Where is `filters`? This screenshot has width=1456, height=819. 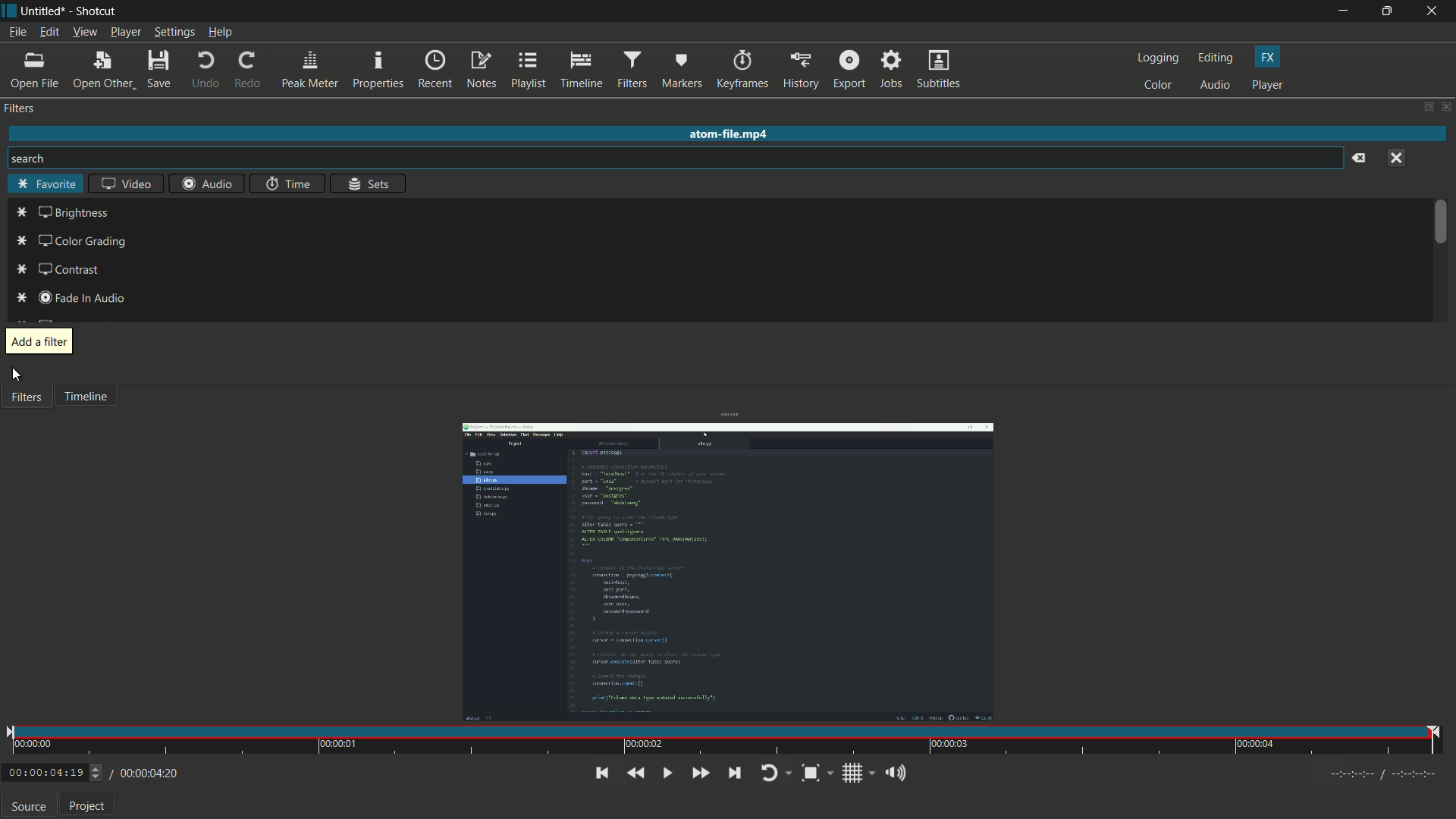
filters is located at coordinates (20, 109).